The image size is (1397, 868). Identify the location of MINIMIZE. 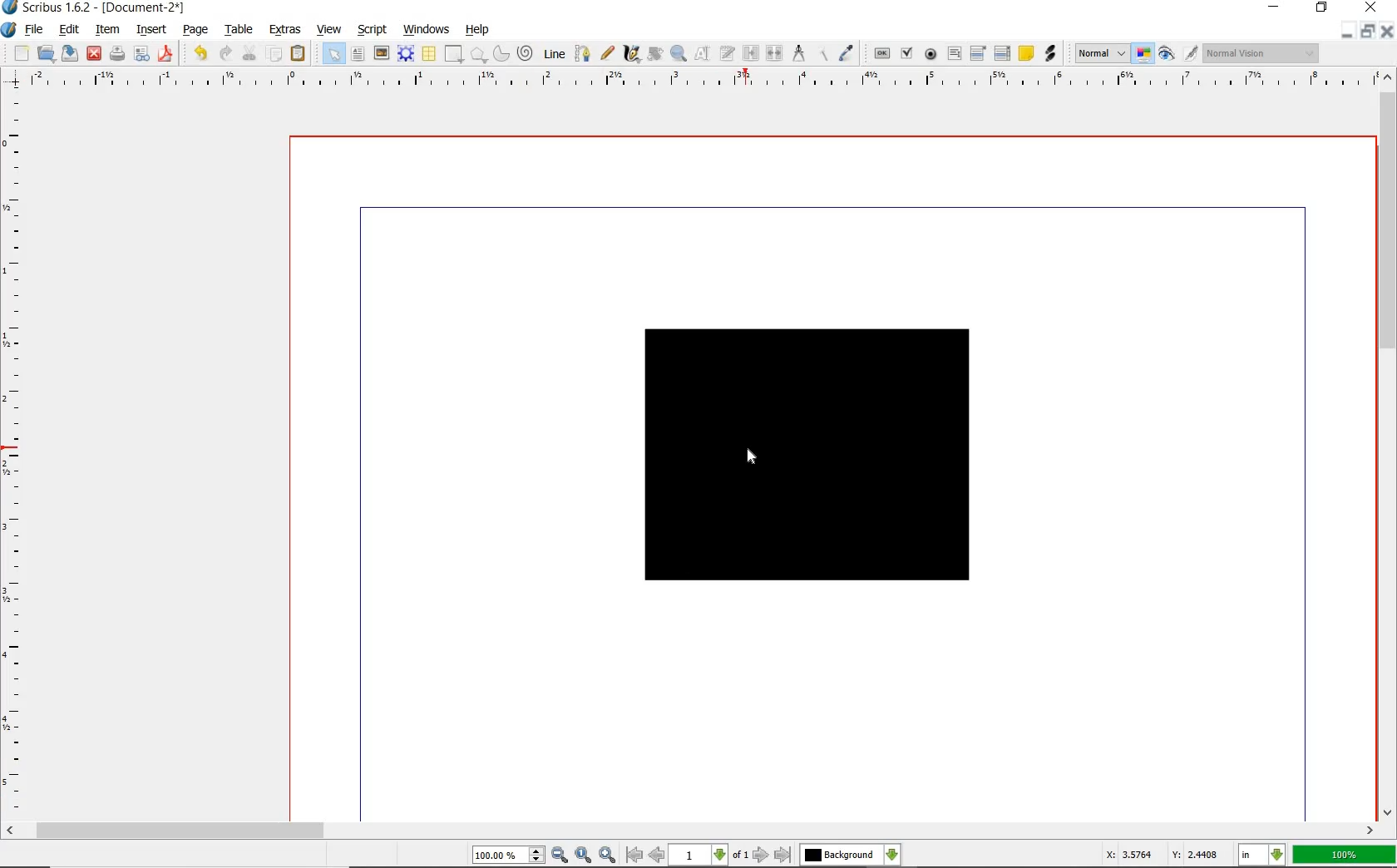
(1345, 36).